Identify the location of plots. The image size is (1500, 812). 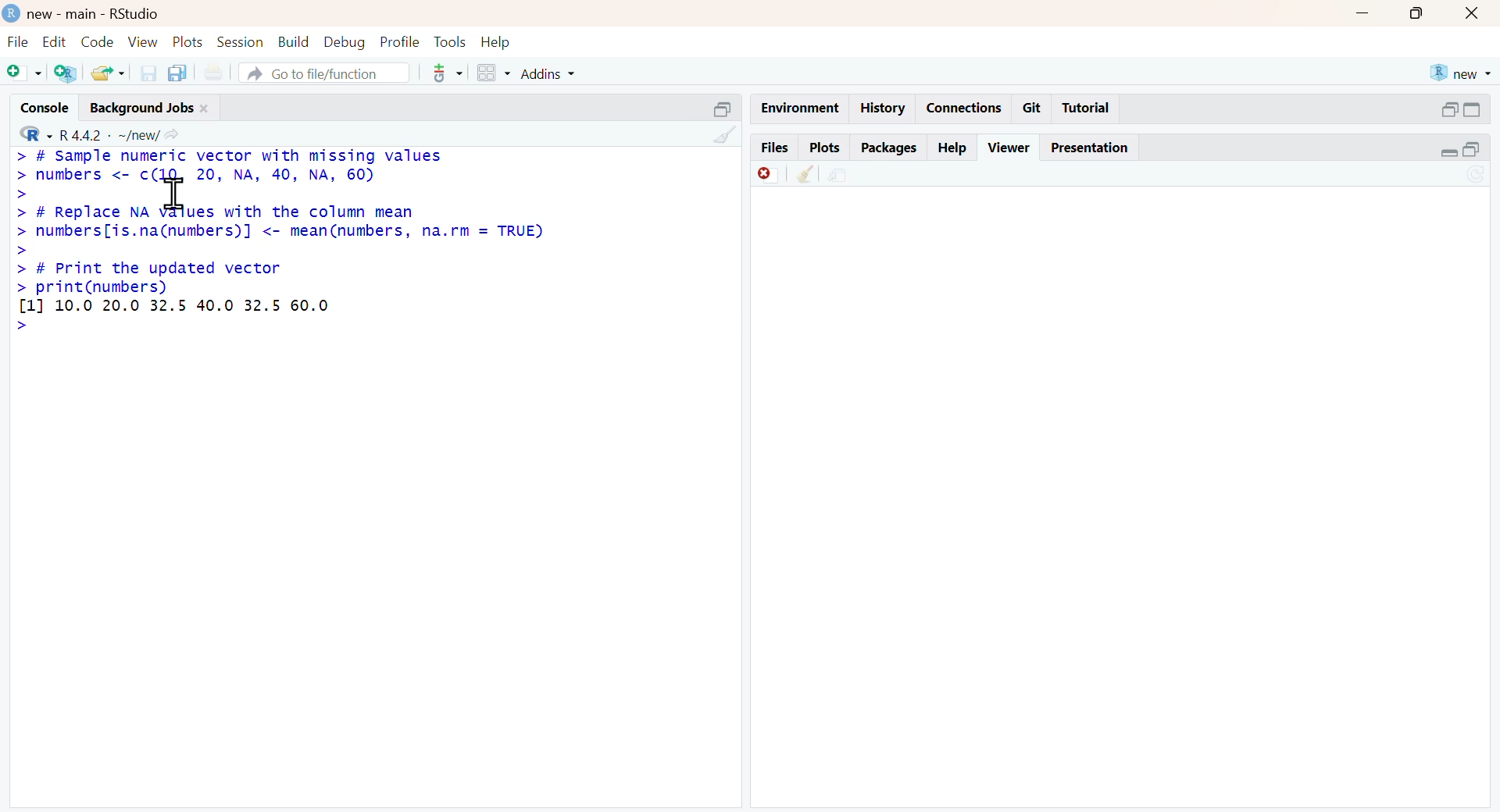
(827, 148).